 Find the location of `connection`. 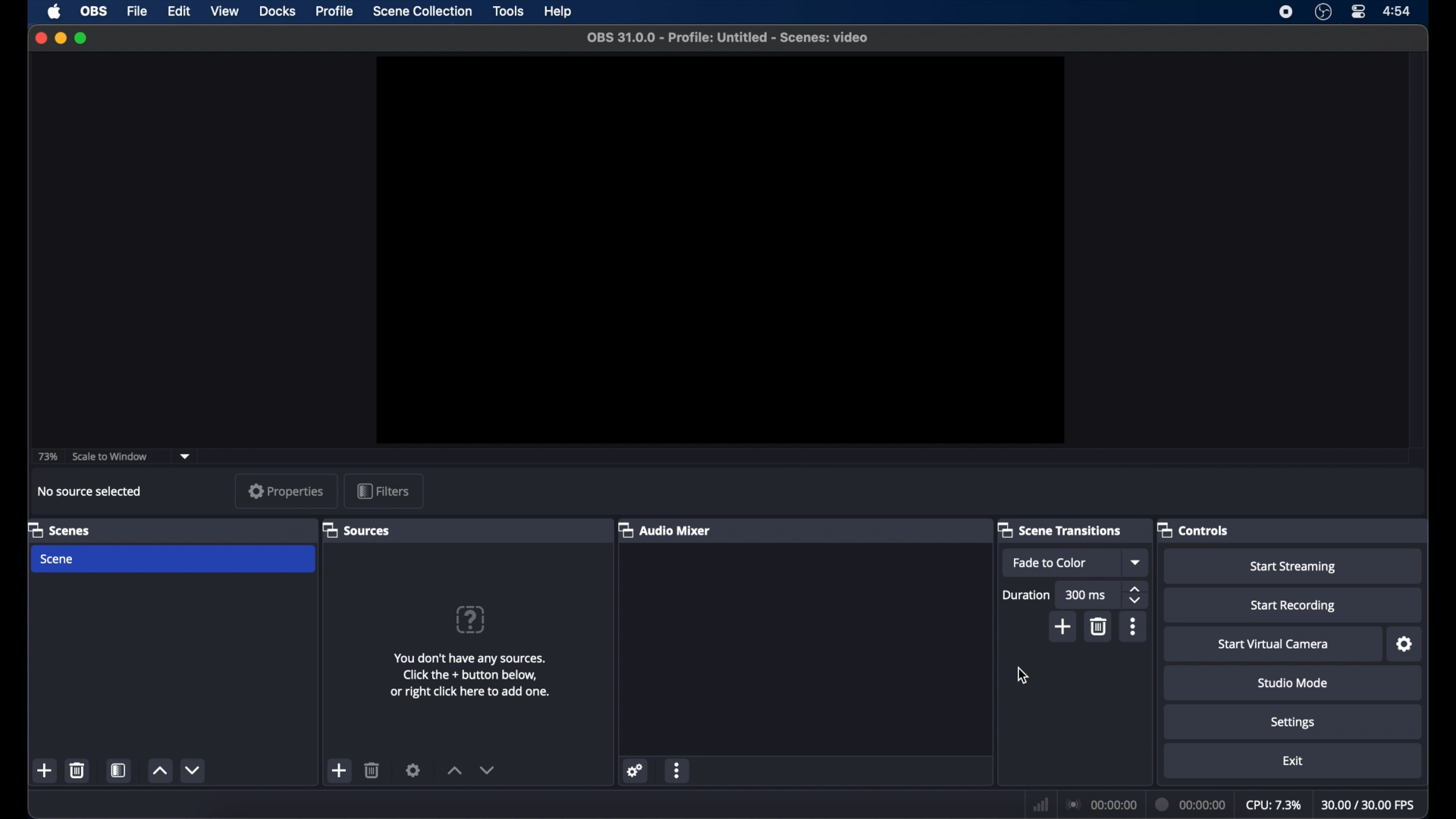

connection is located at coordinates (1100, 805).